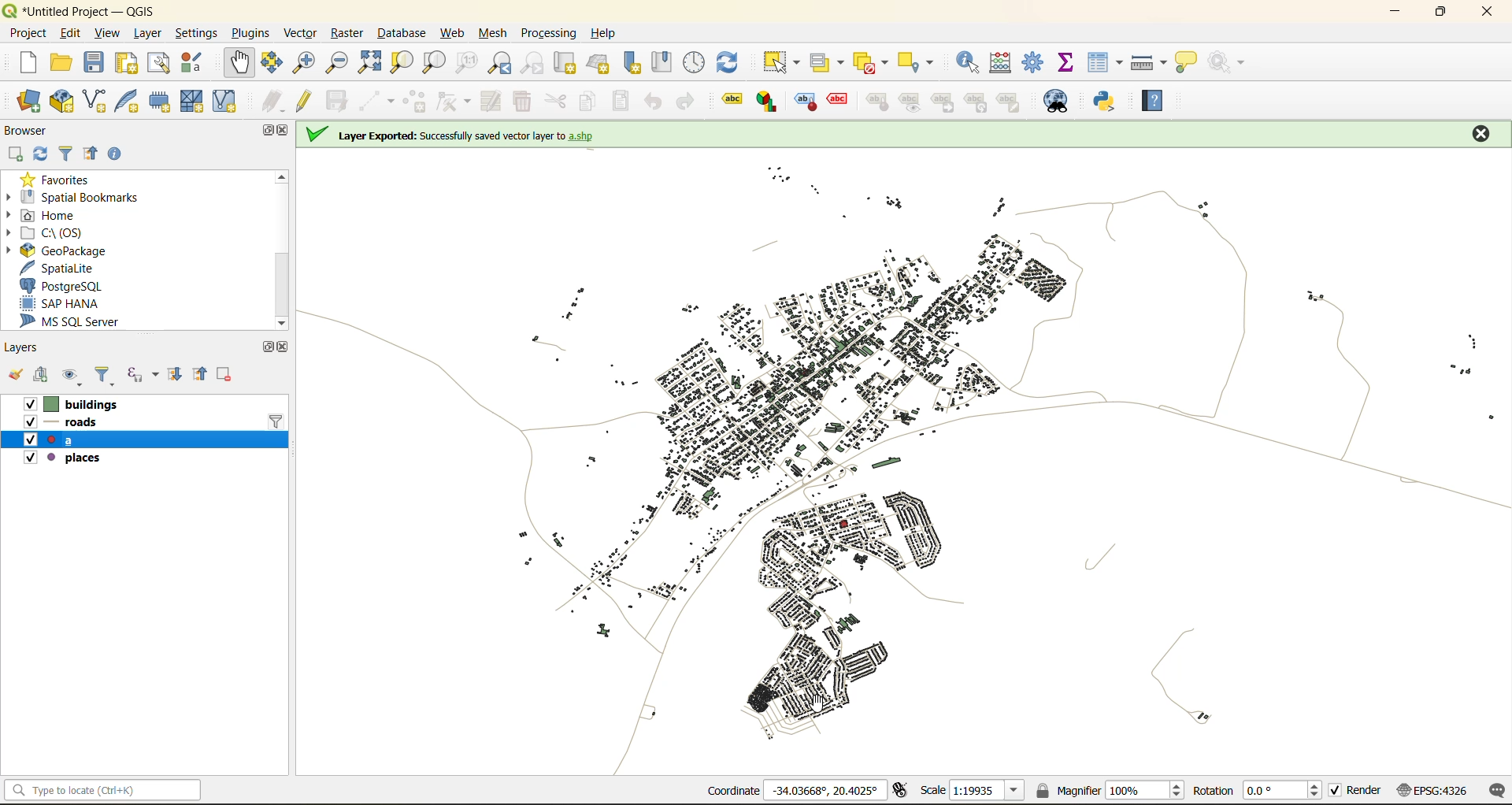 The width and height of the screenshot is (1512, 805). What do you see at coordinates (493, 102) in the screenshot?
I see `modify` at bounding box center [493, 102].